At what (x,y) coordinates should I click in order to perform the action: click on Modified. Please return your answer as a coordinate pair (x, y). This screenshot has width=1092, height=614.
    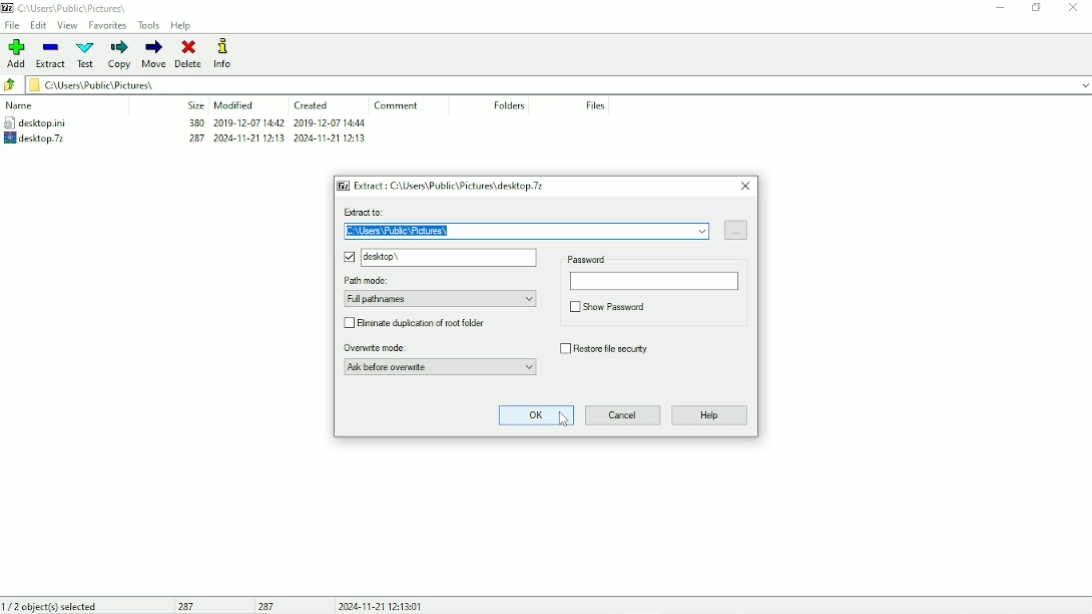
    Looking at the image, I should click on (235, 105).